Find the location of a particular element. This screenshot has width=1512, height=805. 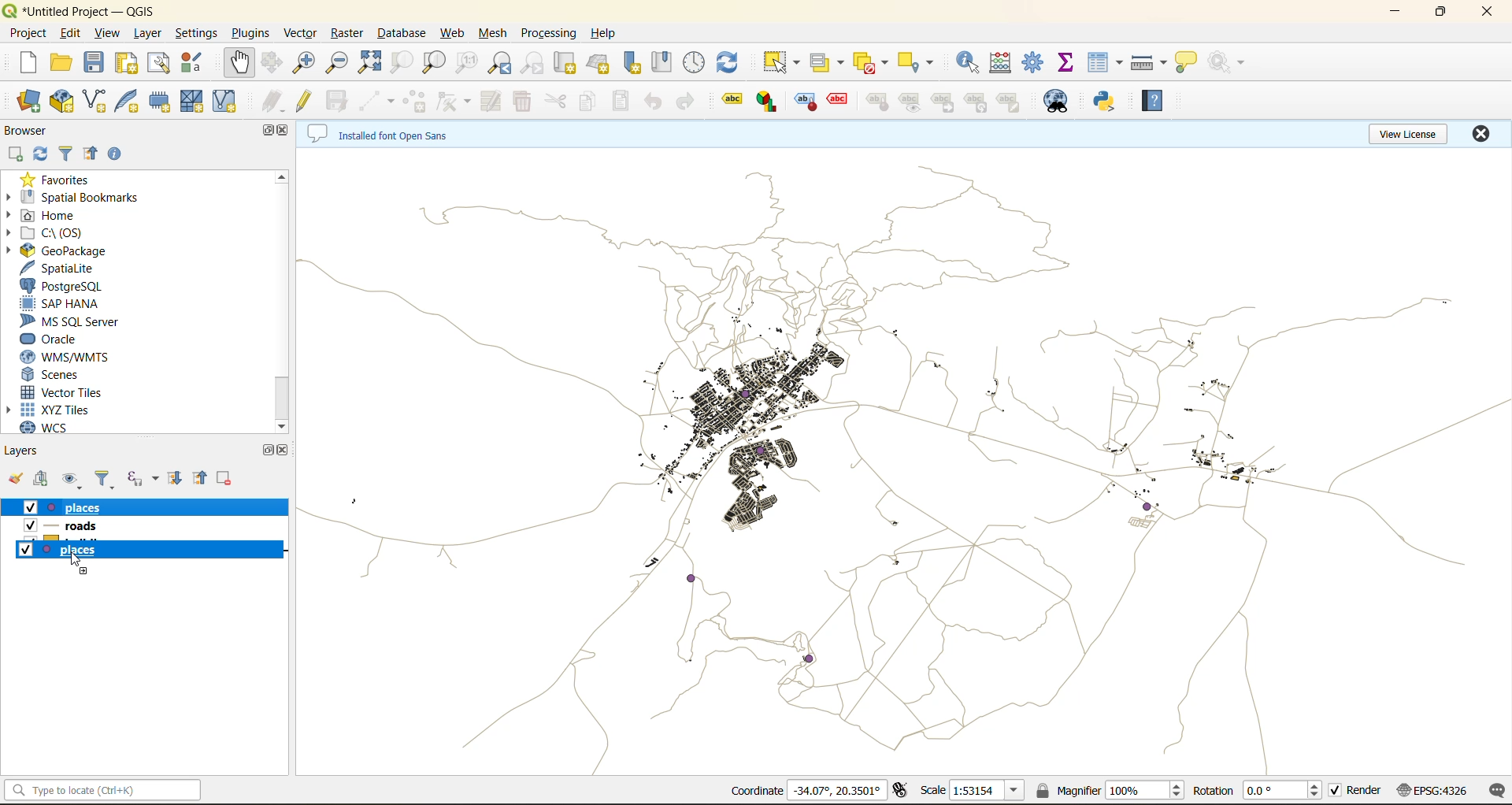

no action is located at coordinates (1228, 62).